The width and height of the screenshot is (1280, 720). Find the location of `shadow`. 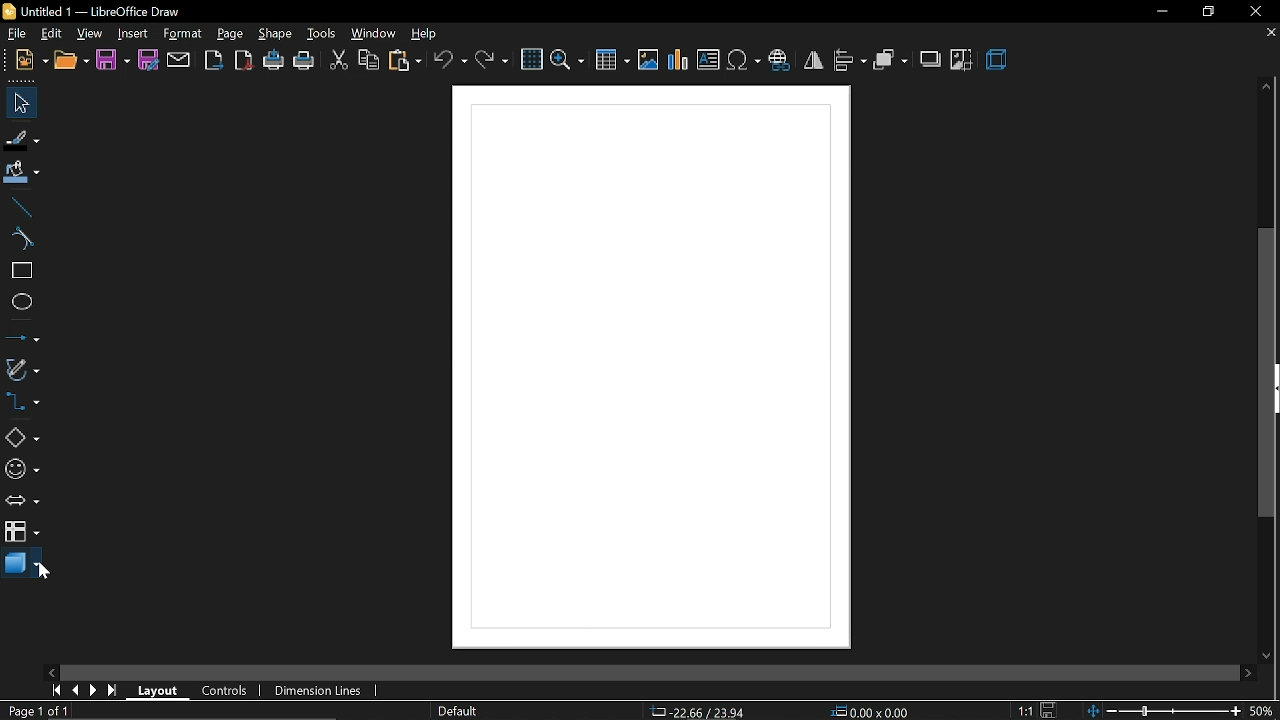

shadow is located at coordinates (930, 61).